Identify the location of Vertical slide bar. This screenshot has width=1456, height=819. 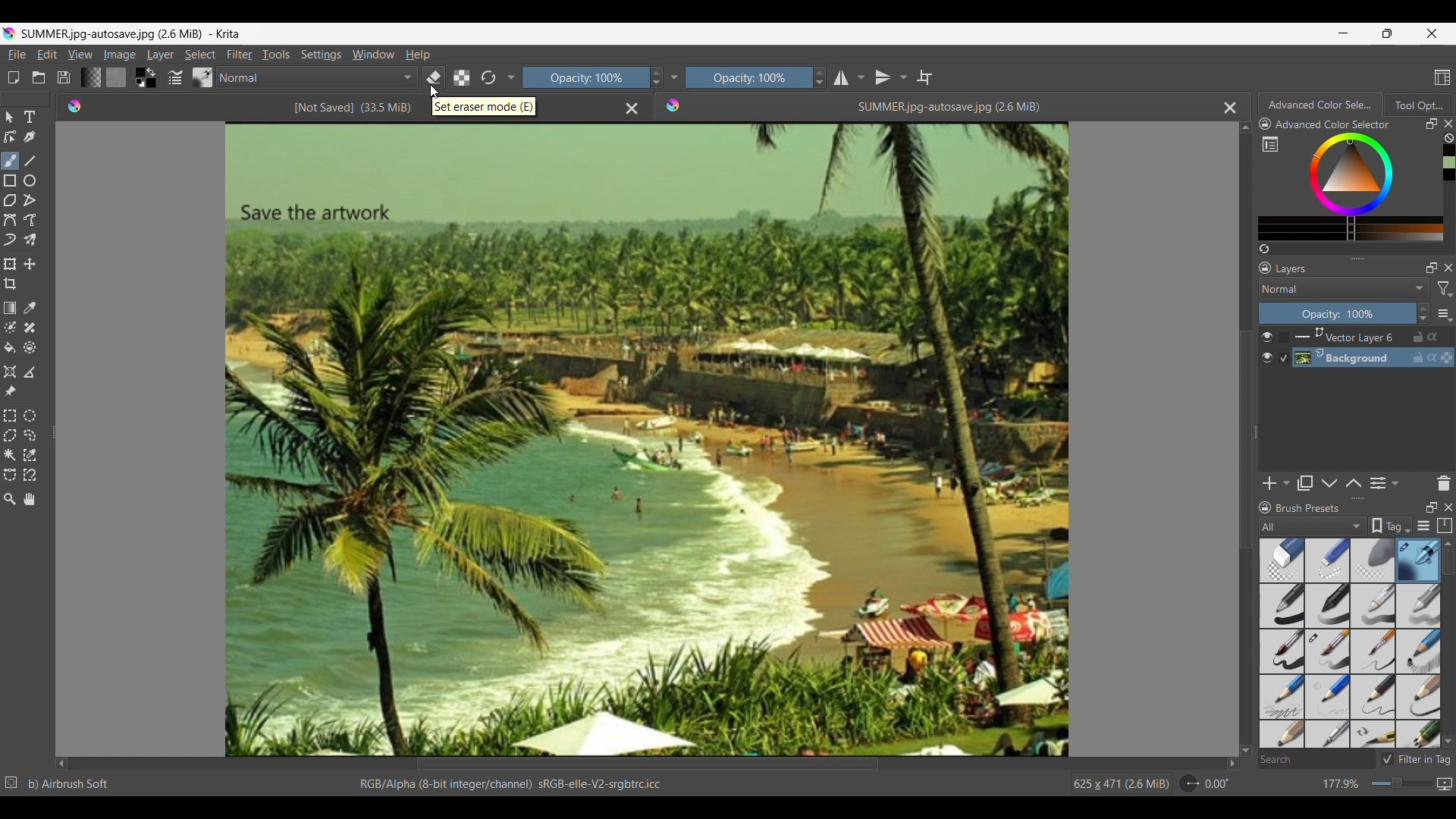
(1244, 440).